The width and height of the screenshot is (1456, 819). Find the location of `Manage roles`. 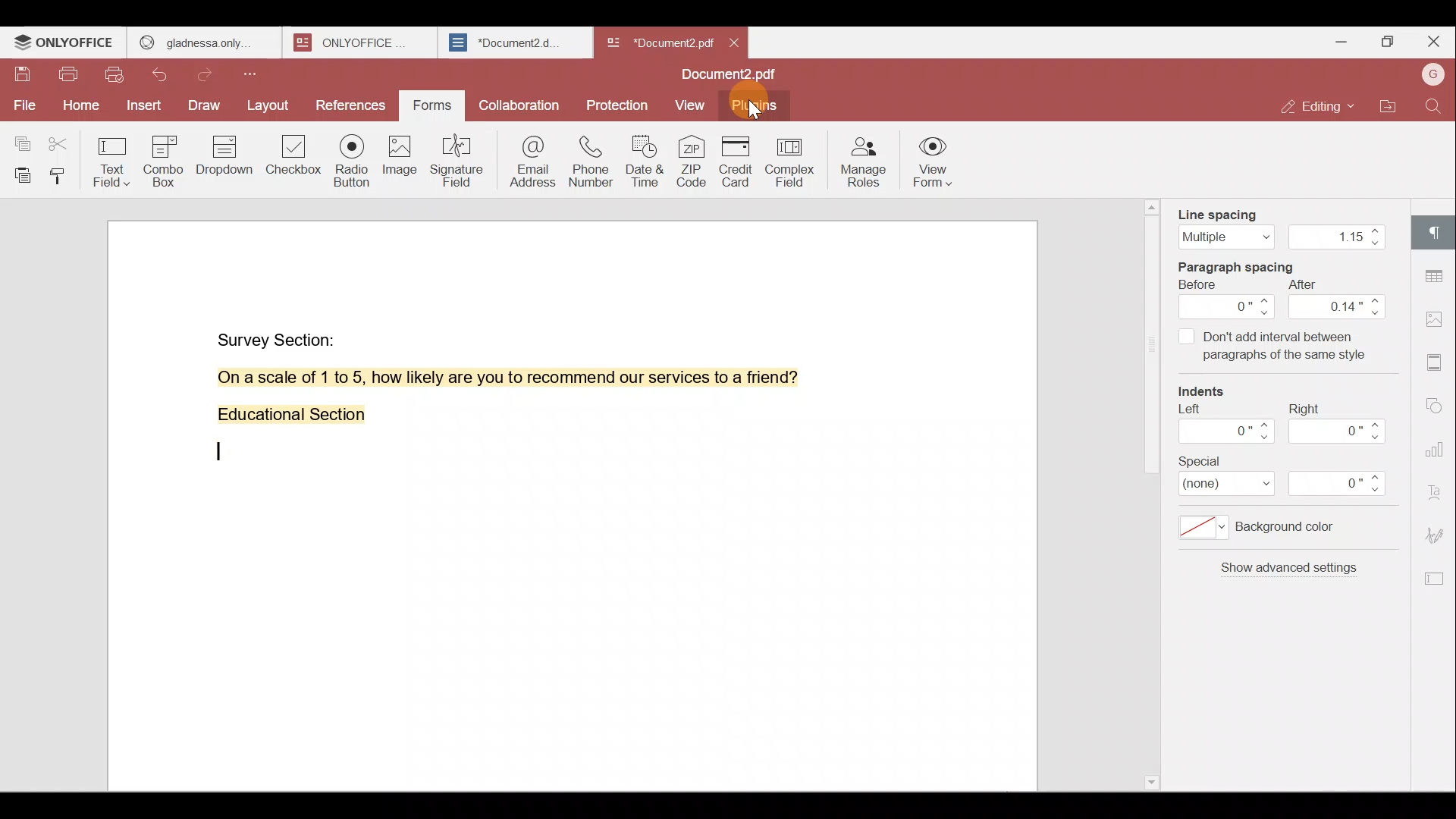

Manage roles is located at coordinates (862, 161).